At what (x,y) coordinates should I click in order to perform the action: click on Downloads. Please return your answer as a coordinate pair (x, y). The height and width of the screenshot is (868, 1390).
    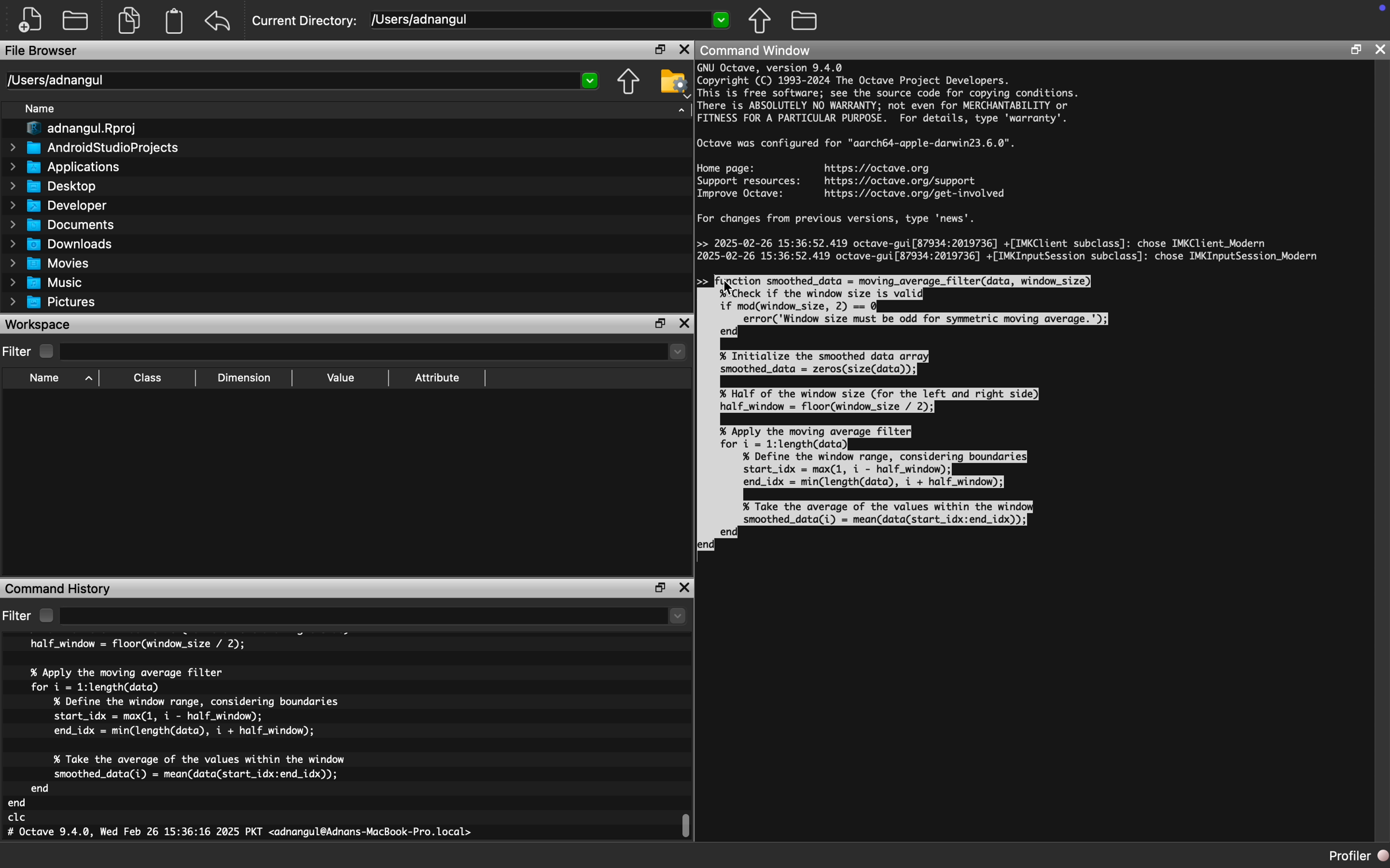
    Looking at the image, I should click on (63, 245).